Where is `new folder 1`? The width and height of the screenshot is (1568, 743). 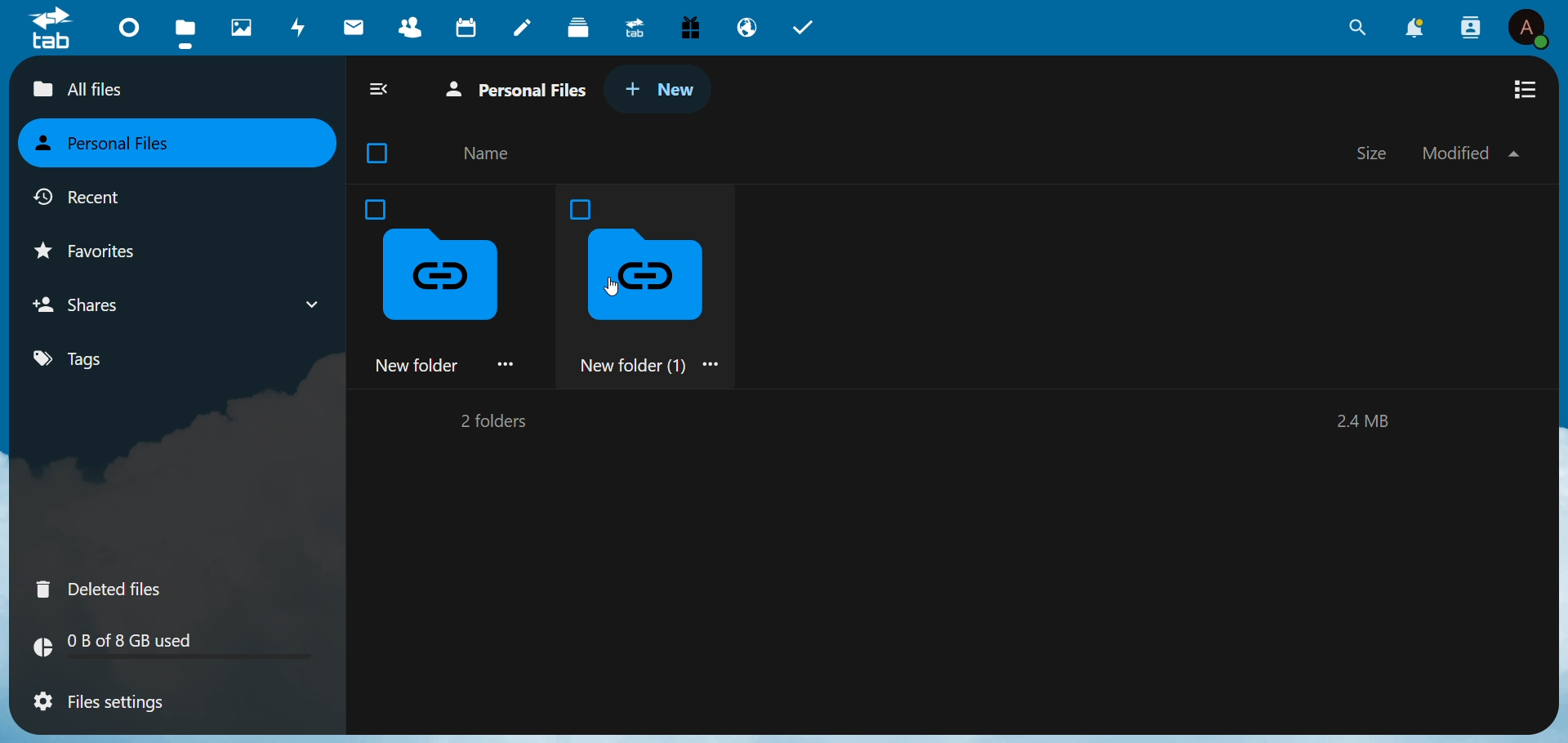
new folder 1 is located at coordinates (656, 286).